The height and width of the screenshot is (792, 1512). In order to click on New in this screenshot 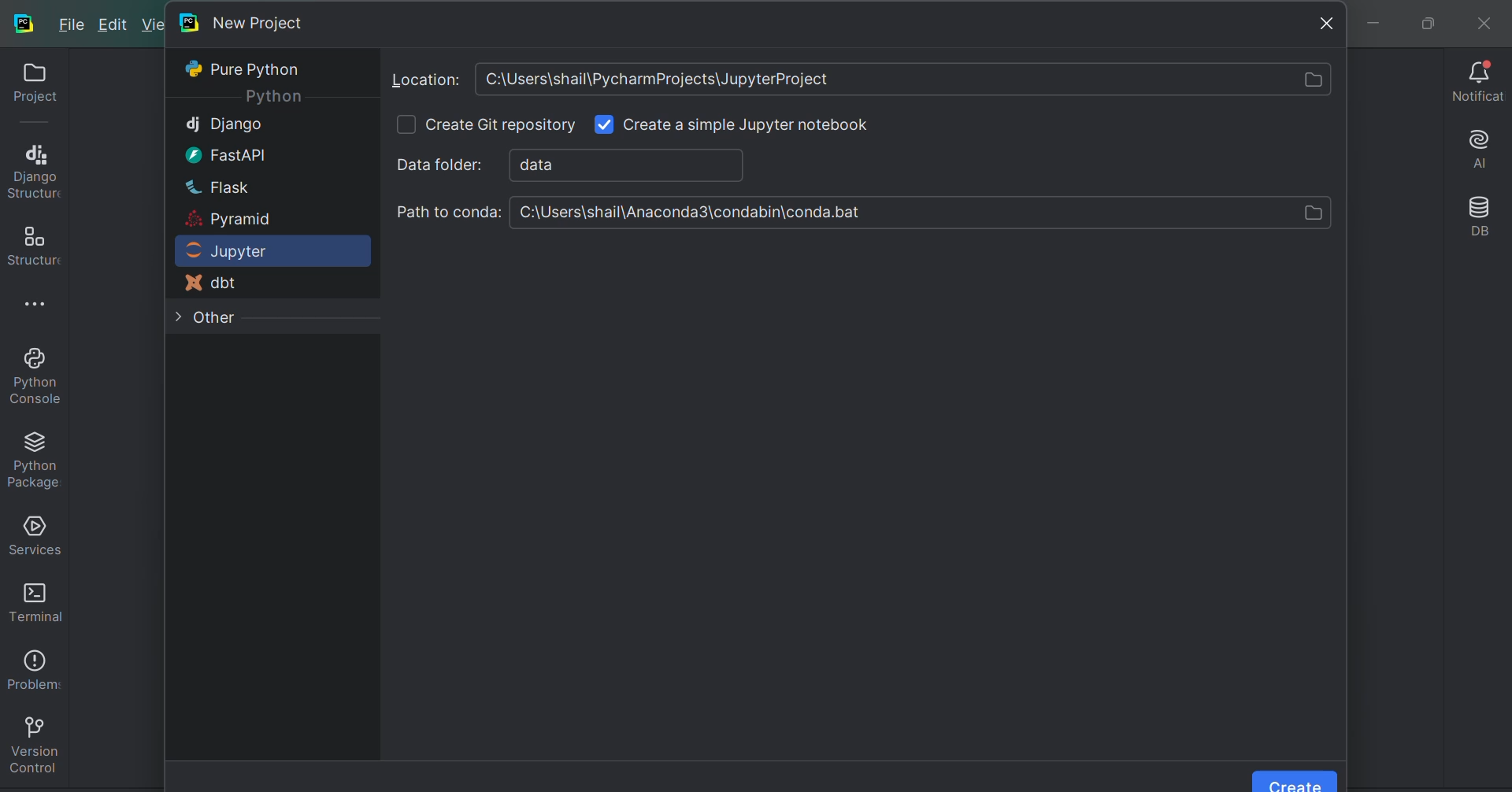, I will do `click(151, 23)`.